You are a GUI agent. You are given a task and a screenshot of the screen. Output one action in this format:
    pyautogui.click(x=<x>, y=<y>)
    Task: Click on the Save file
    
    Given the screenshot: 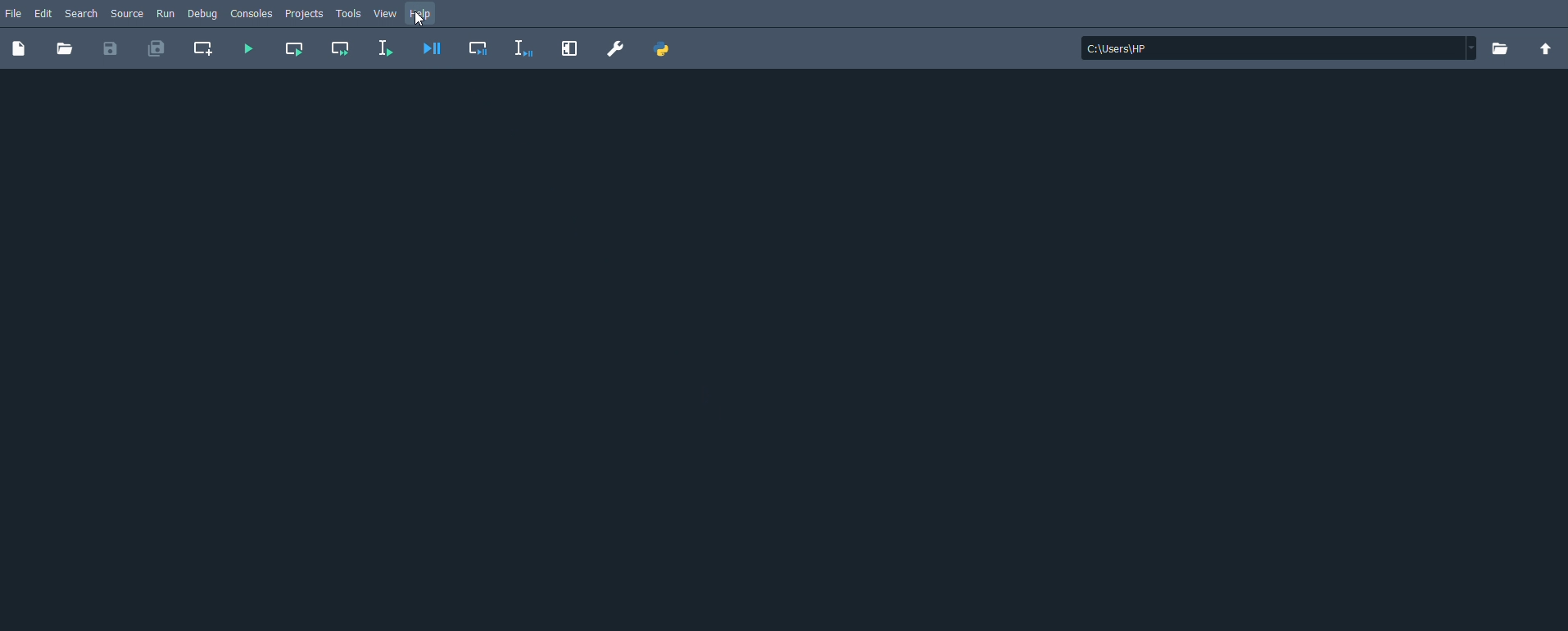 What is the action you would take?
    pyautogui.click(x=108, y=51)
    